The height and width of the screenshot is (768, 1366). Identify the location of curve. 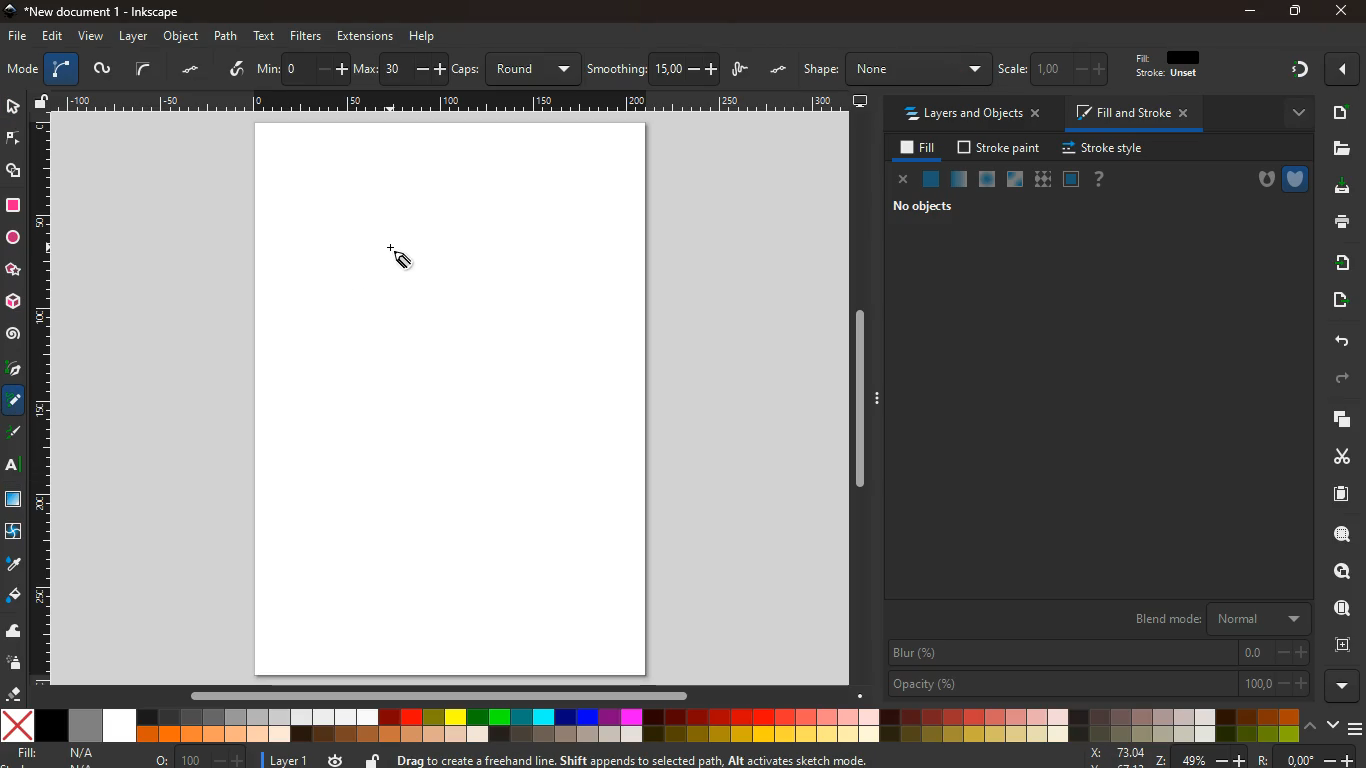
(143, 69).